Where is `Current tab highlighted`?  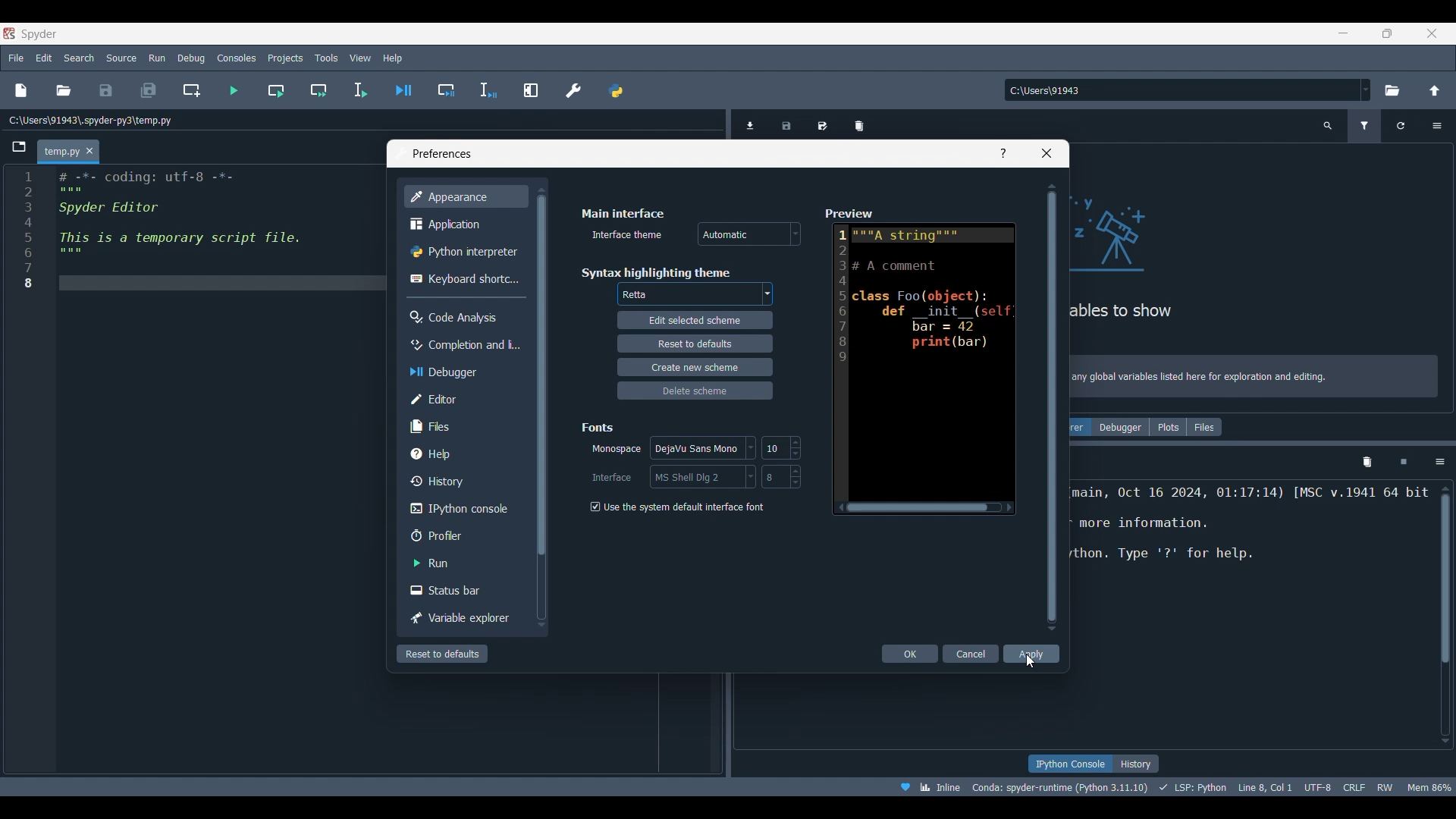 Current tab highlighted is located at coordinates (61, 152).